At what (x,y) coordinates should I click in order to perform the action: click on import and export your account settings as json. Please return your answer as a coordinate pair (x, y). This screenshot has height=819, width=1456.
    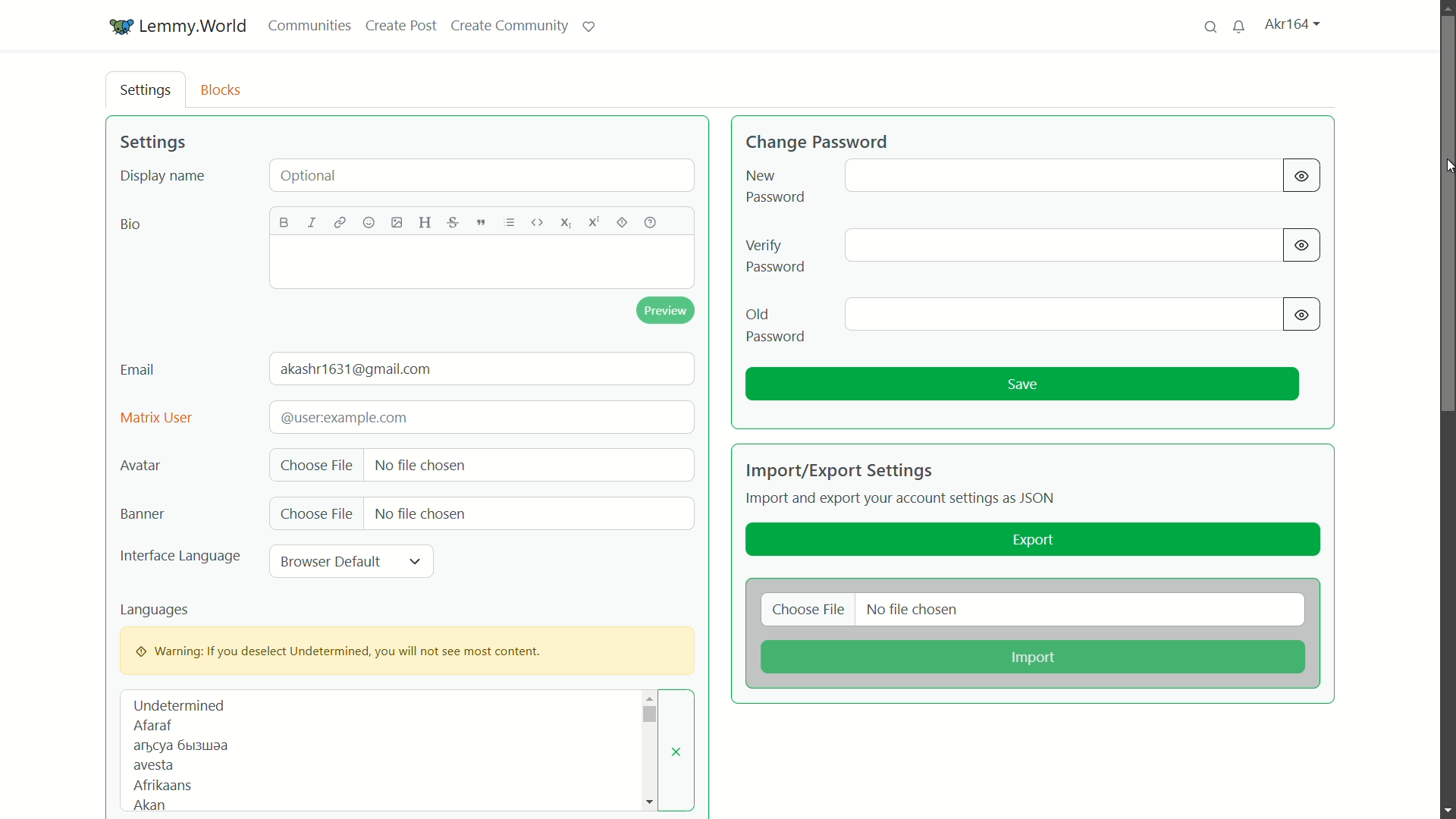
    Looking at the image, I should click on (902, 500).